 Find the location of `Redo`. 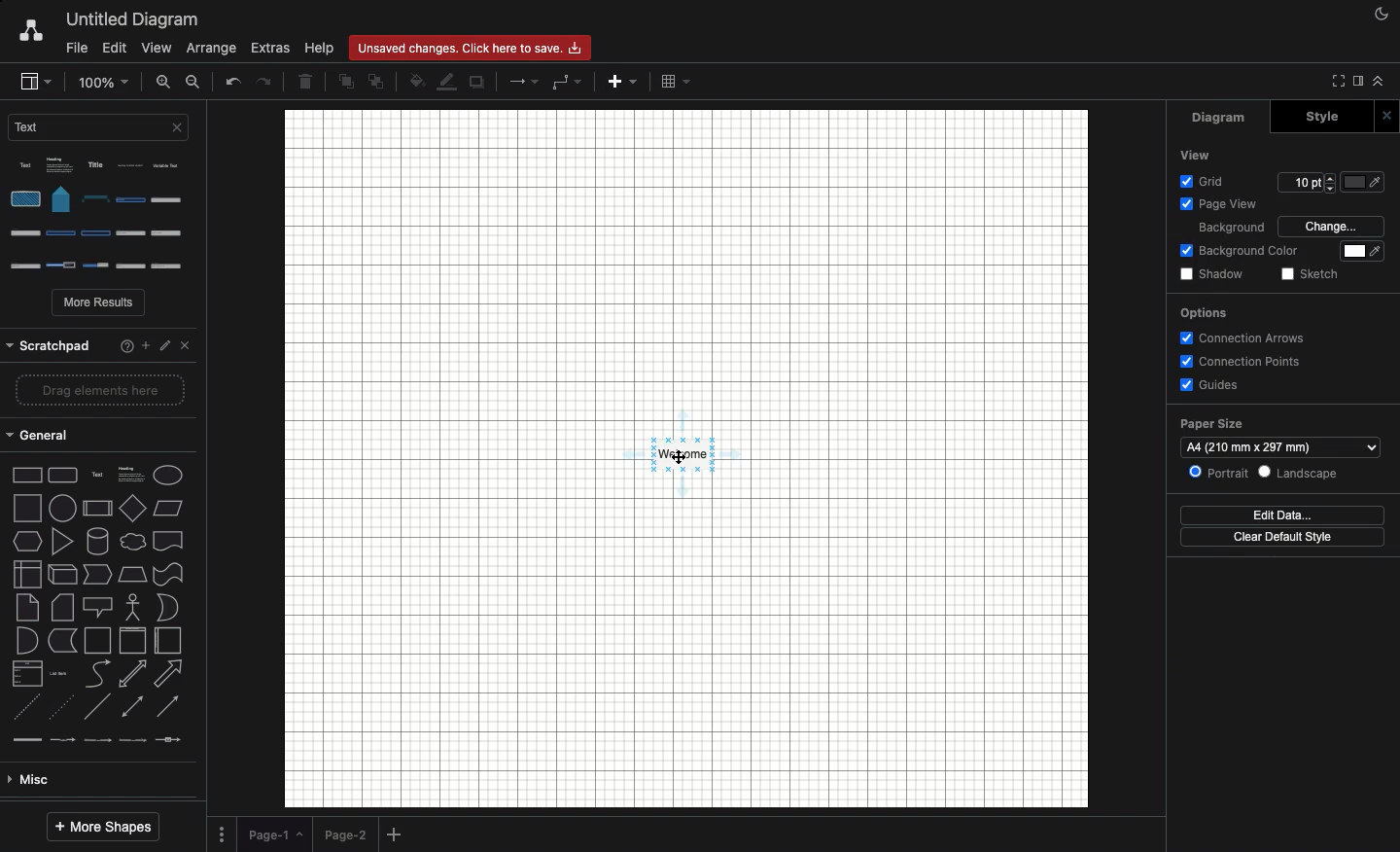

Redo is located at coordinates (266, 81).